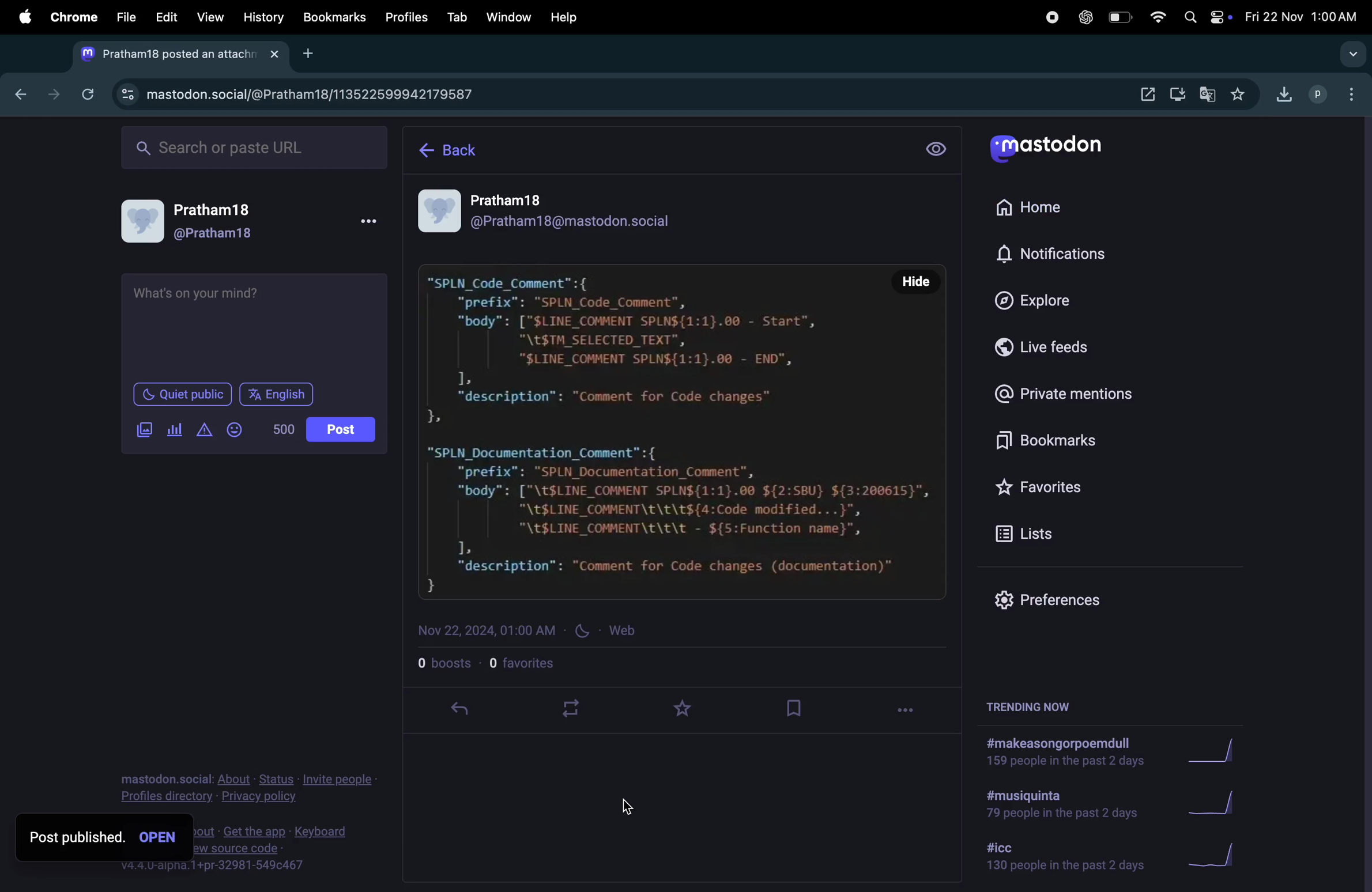 This screenshot has width=1372, height=892. Describe the element at coordinates (1084, 440) in the screenshot. I see `bookmarks` at that location.